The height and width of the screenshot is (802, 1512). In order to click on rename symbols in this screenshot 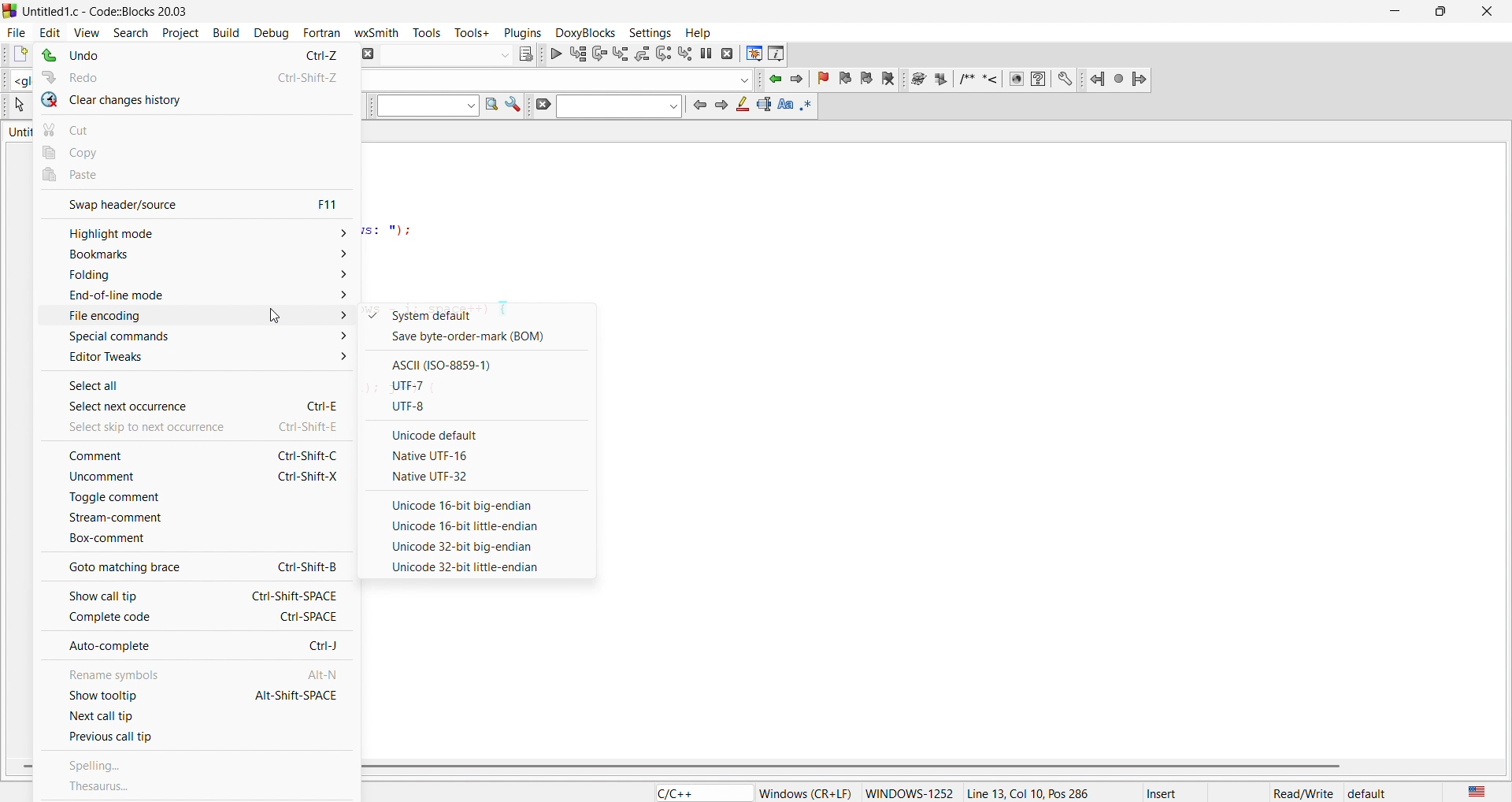, I will do `click(198, 674)`.